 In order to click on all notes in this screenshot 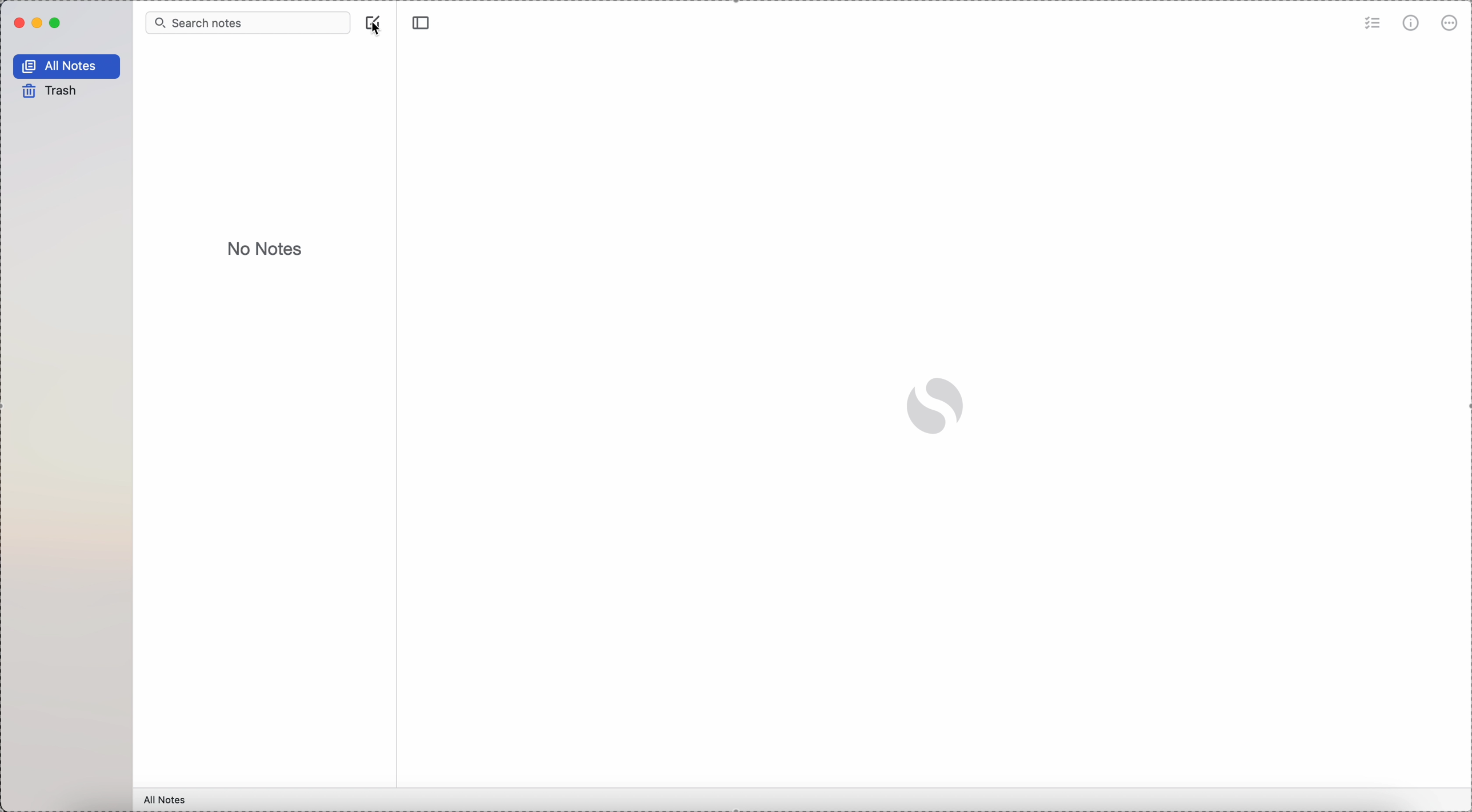, I will do `click(67, 64)`.